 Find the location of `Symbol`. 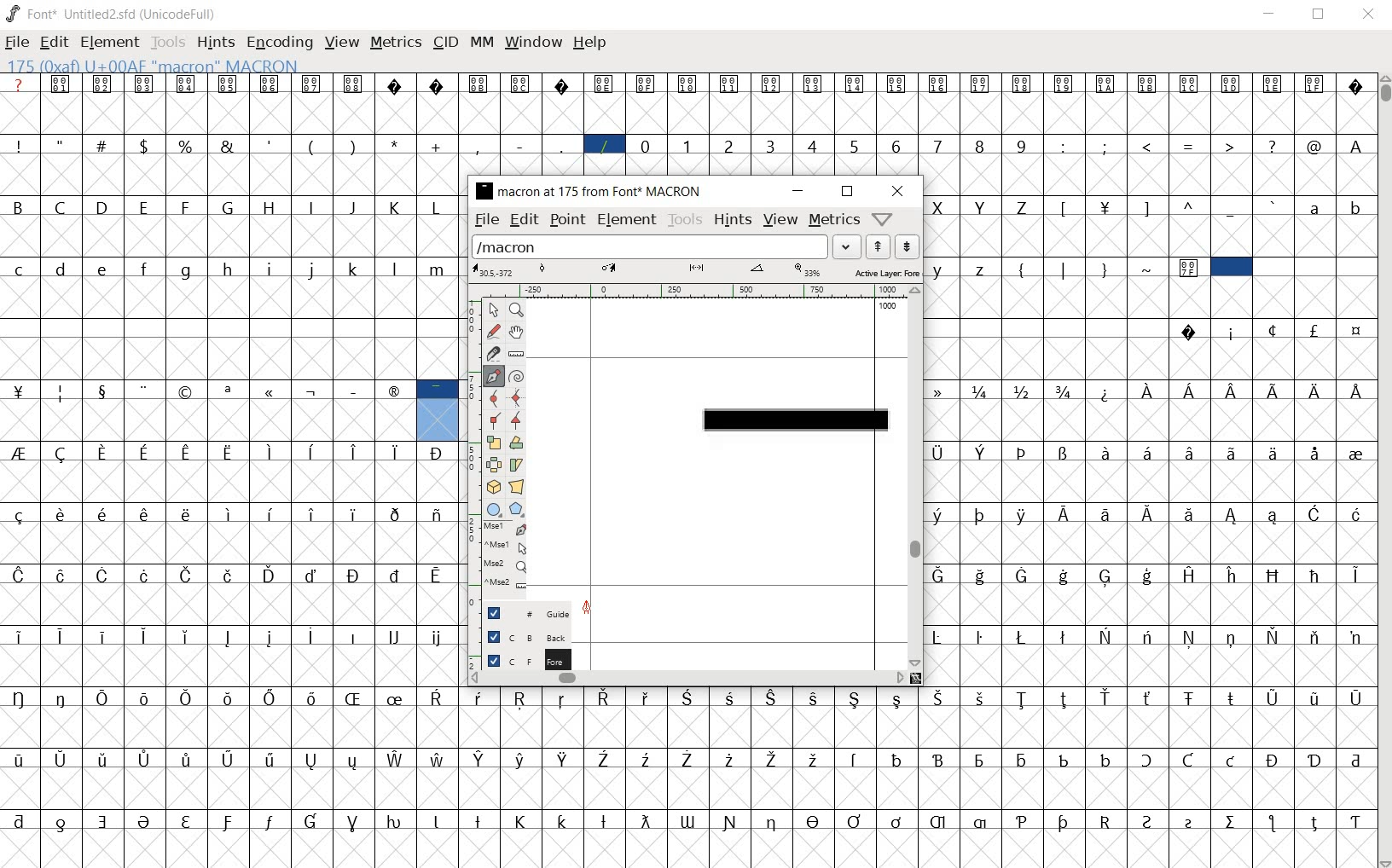

Symbol is located at coordinates (397, 575).